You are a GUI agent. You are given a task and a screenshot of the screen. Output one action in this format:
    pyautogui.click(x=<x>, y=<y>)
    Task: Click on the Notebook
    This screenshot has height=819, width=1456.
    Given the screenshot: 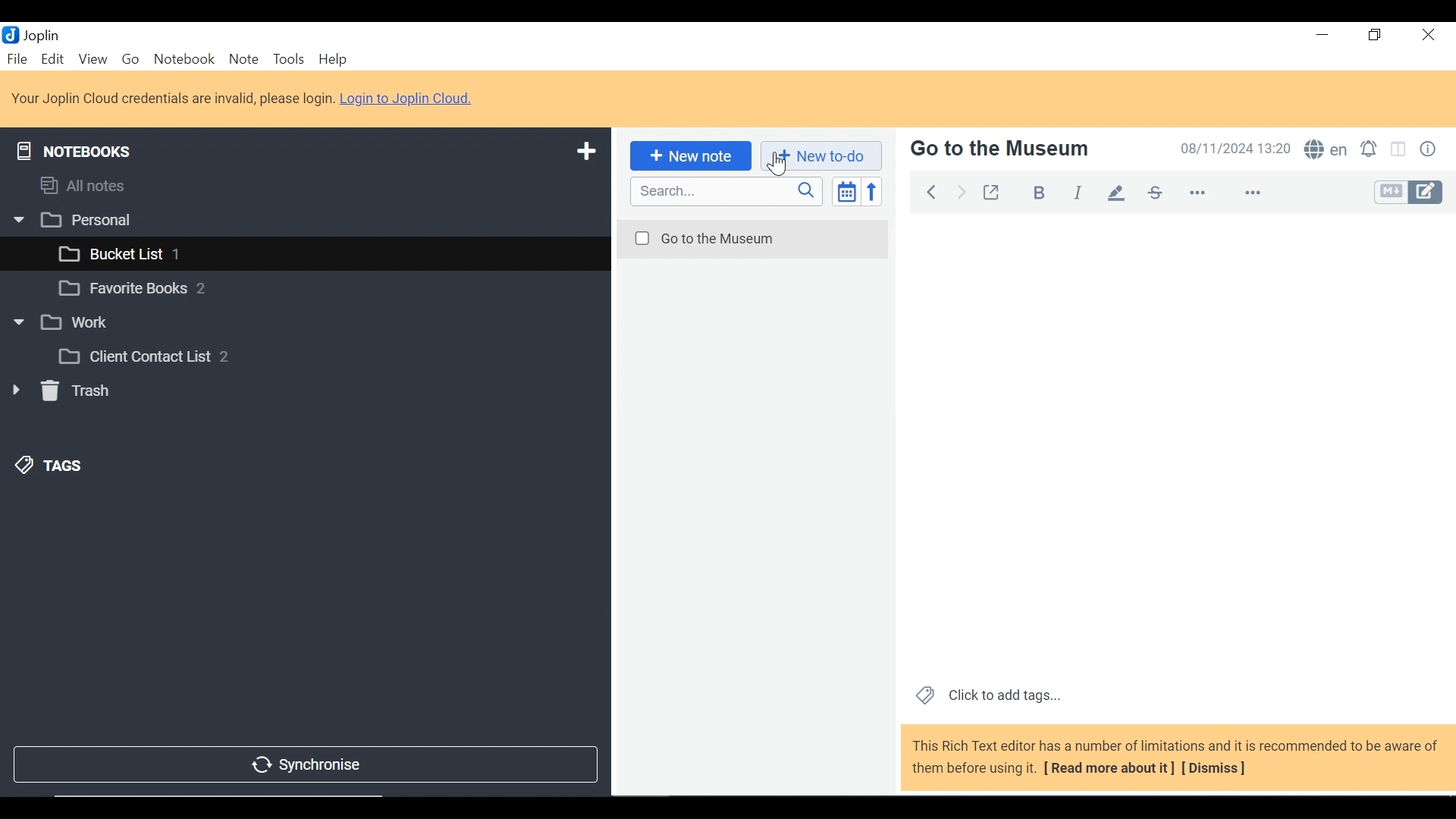 What is the action you would take?
    pyautogui.click(x=320, y=252)
    